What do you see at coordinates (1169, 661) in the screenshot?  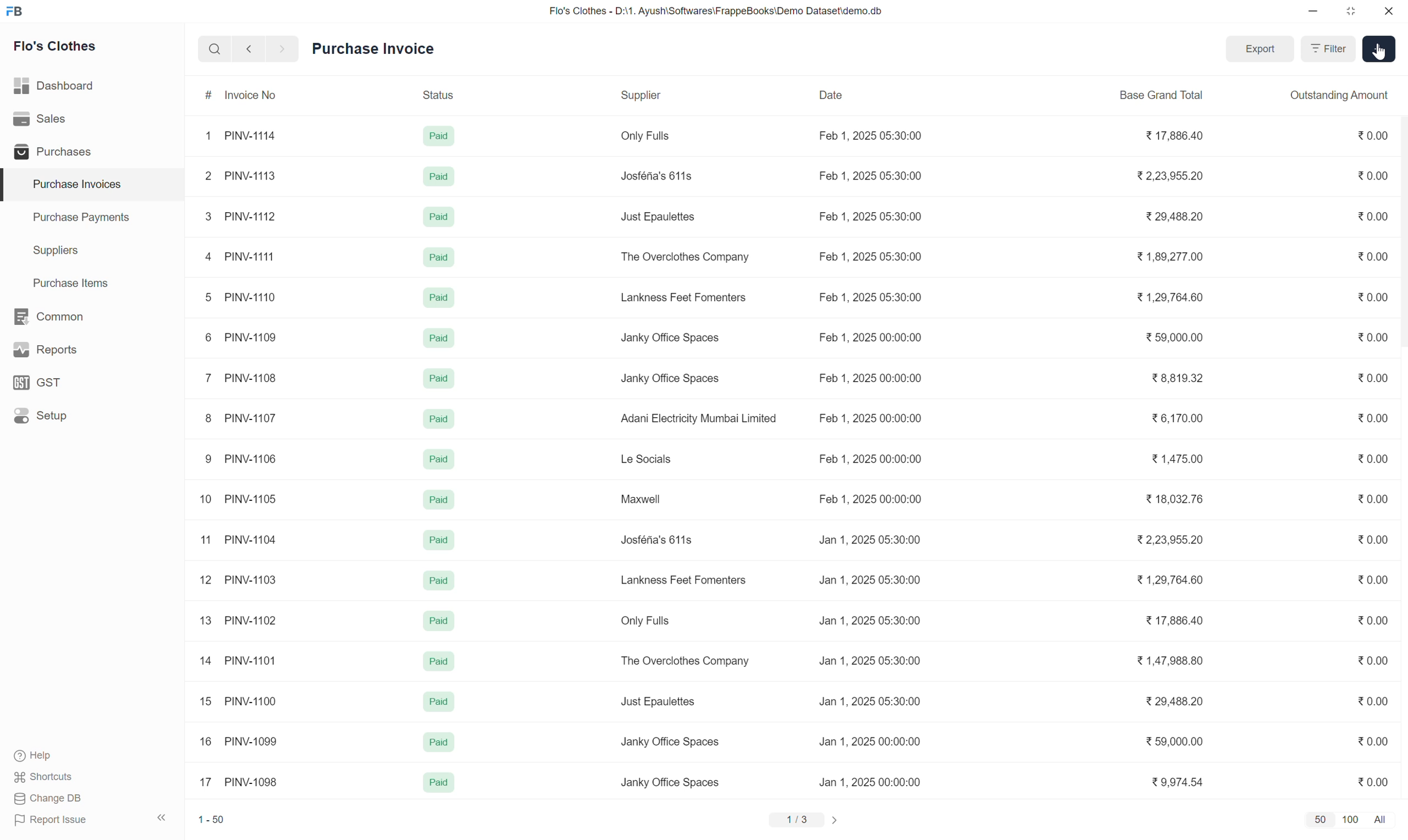 I see `1,47,988.80` at bounding box center [1169, 661].